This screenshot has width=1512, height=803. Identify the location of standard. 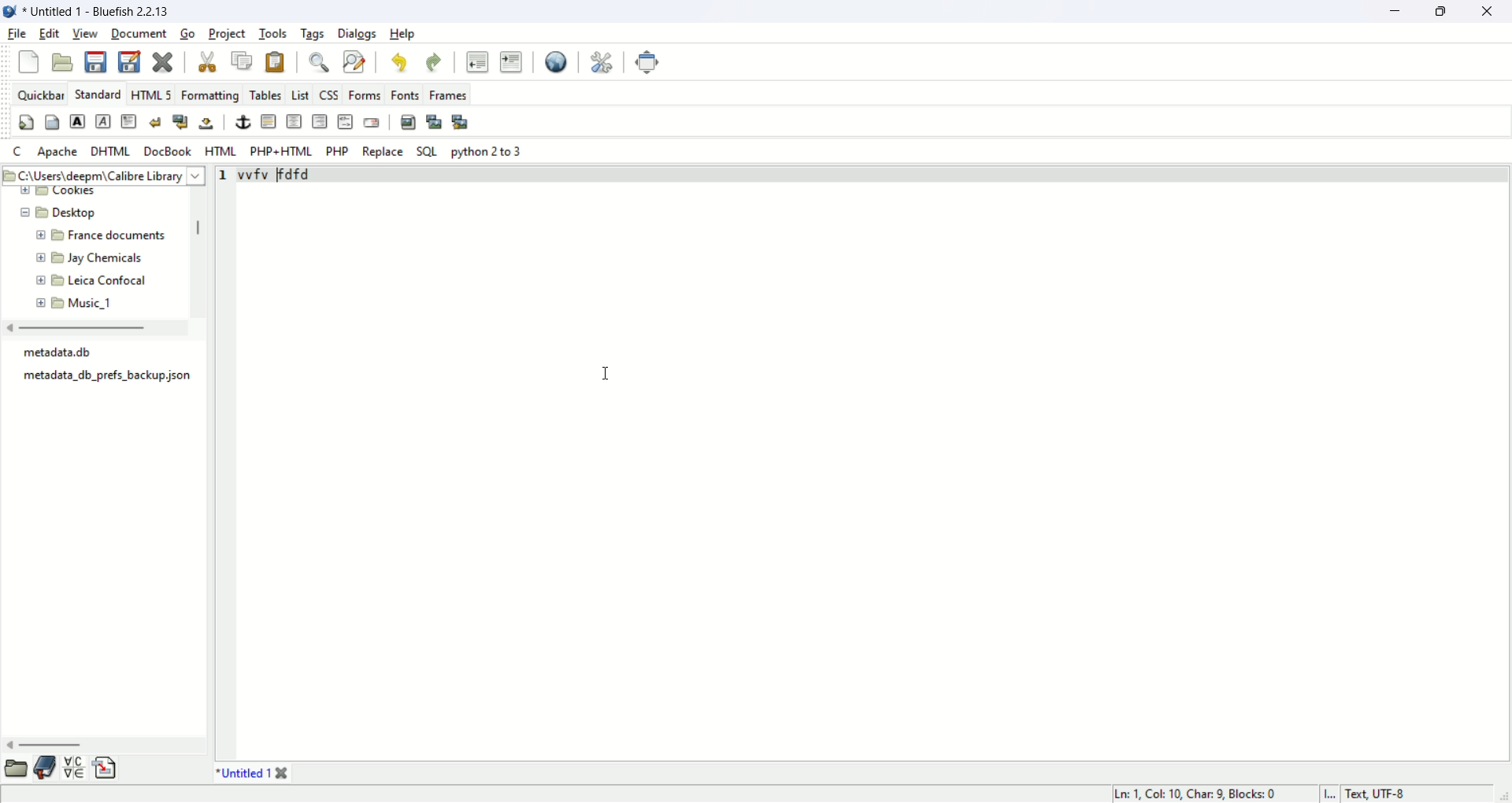
(101, 94).